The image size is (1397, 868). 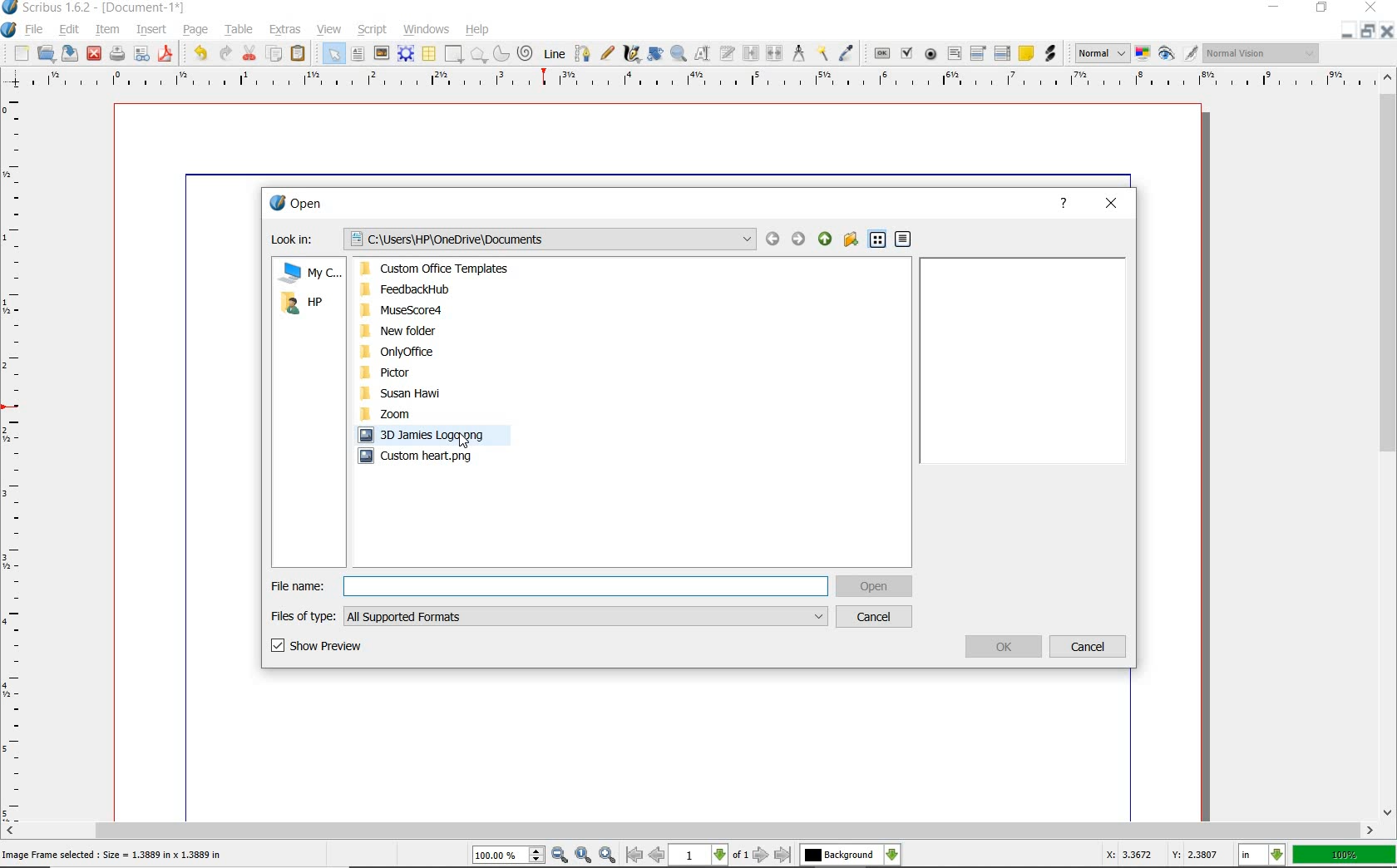 I want to click on Minimize, so click(x=1365, y=31).